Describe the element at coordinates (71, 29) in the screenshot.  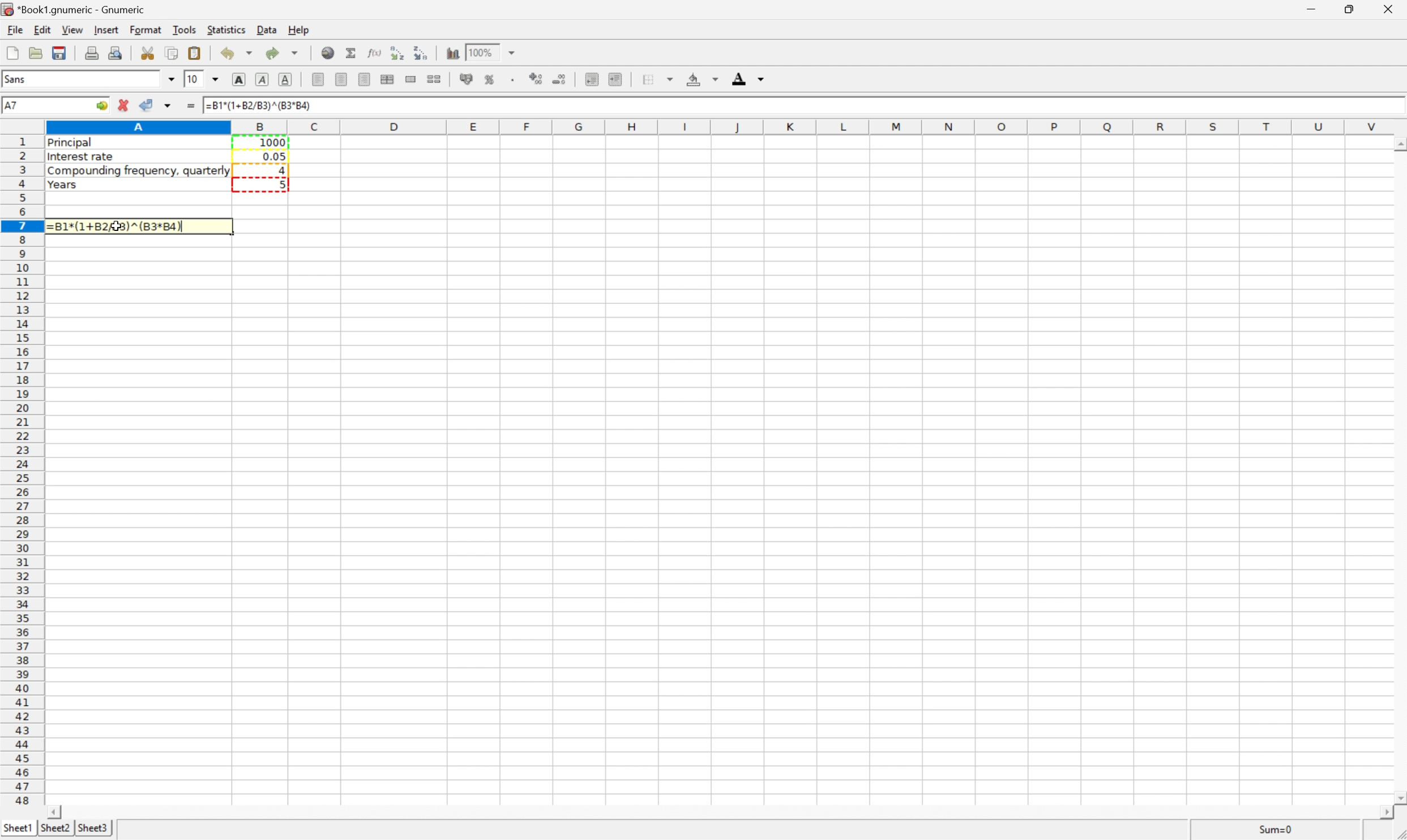
I see `view` at that location.